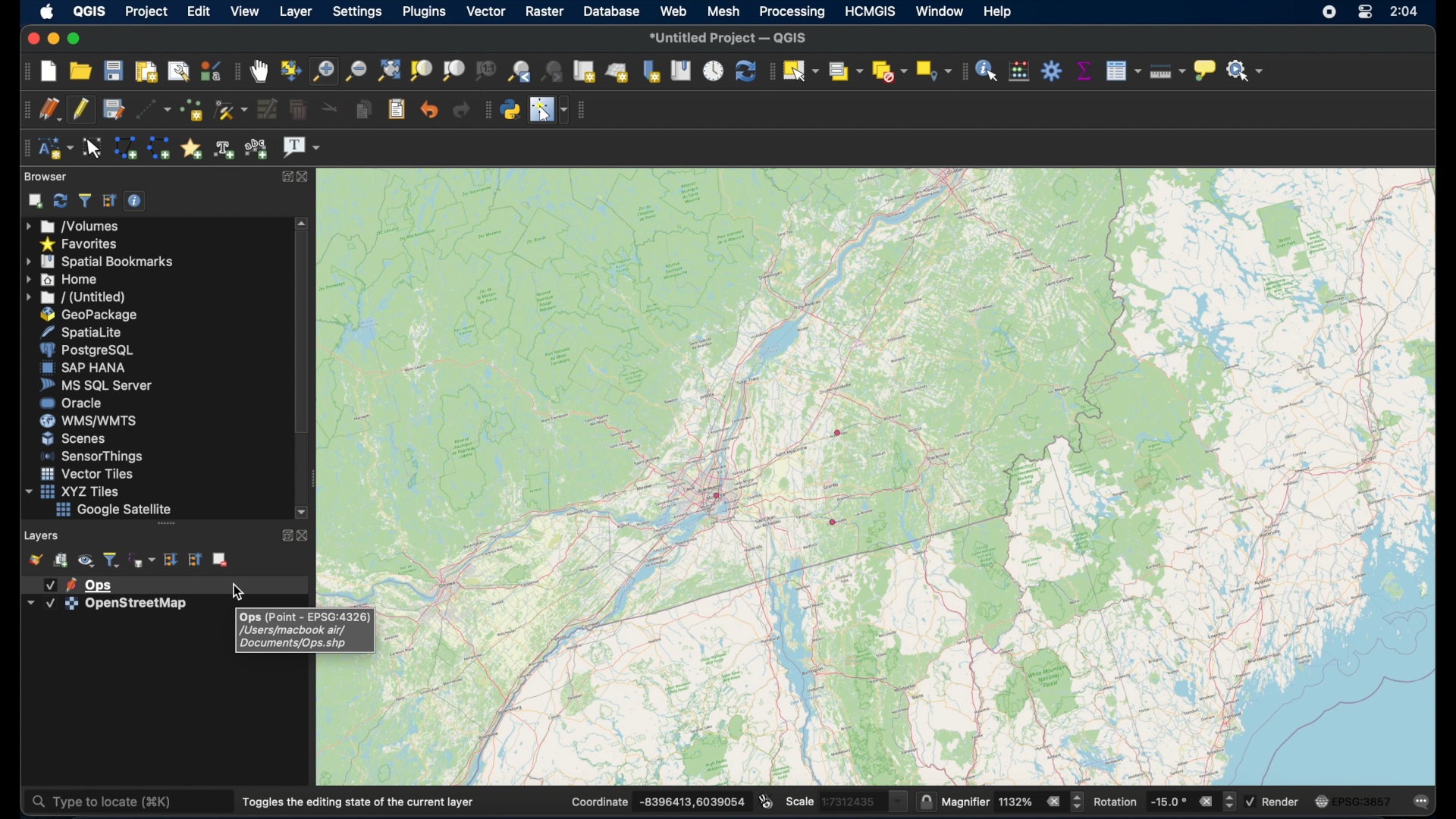 The image size is (1456, 819). I want to click on toggle extents and mouse position display, so click(765, 802).